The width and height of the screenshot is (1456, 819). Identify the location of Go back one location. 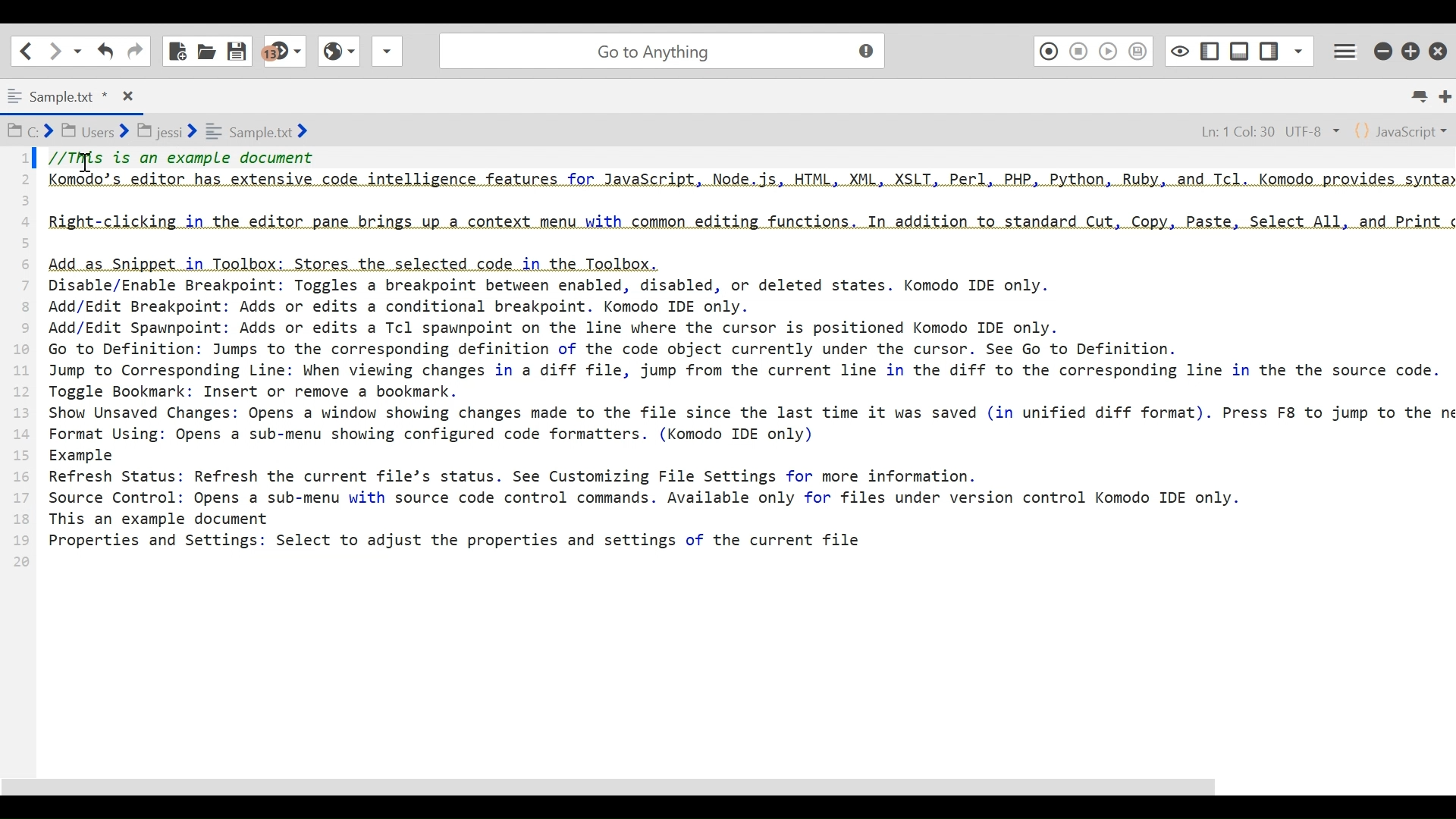
(26, 50).